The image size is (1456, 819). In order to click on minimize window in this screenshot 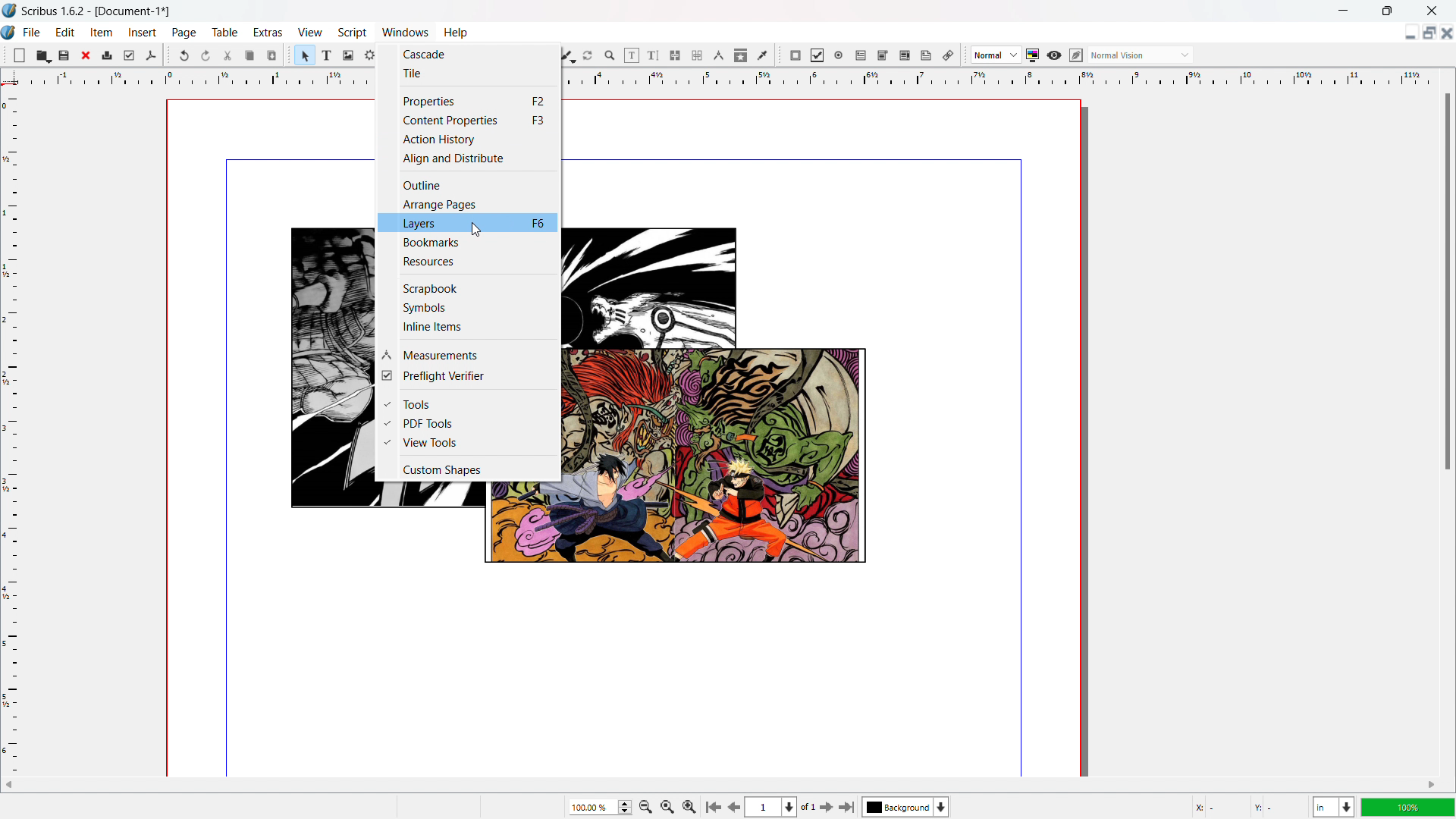, I will do `click(1345, 11)`.